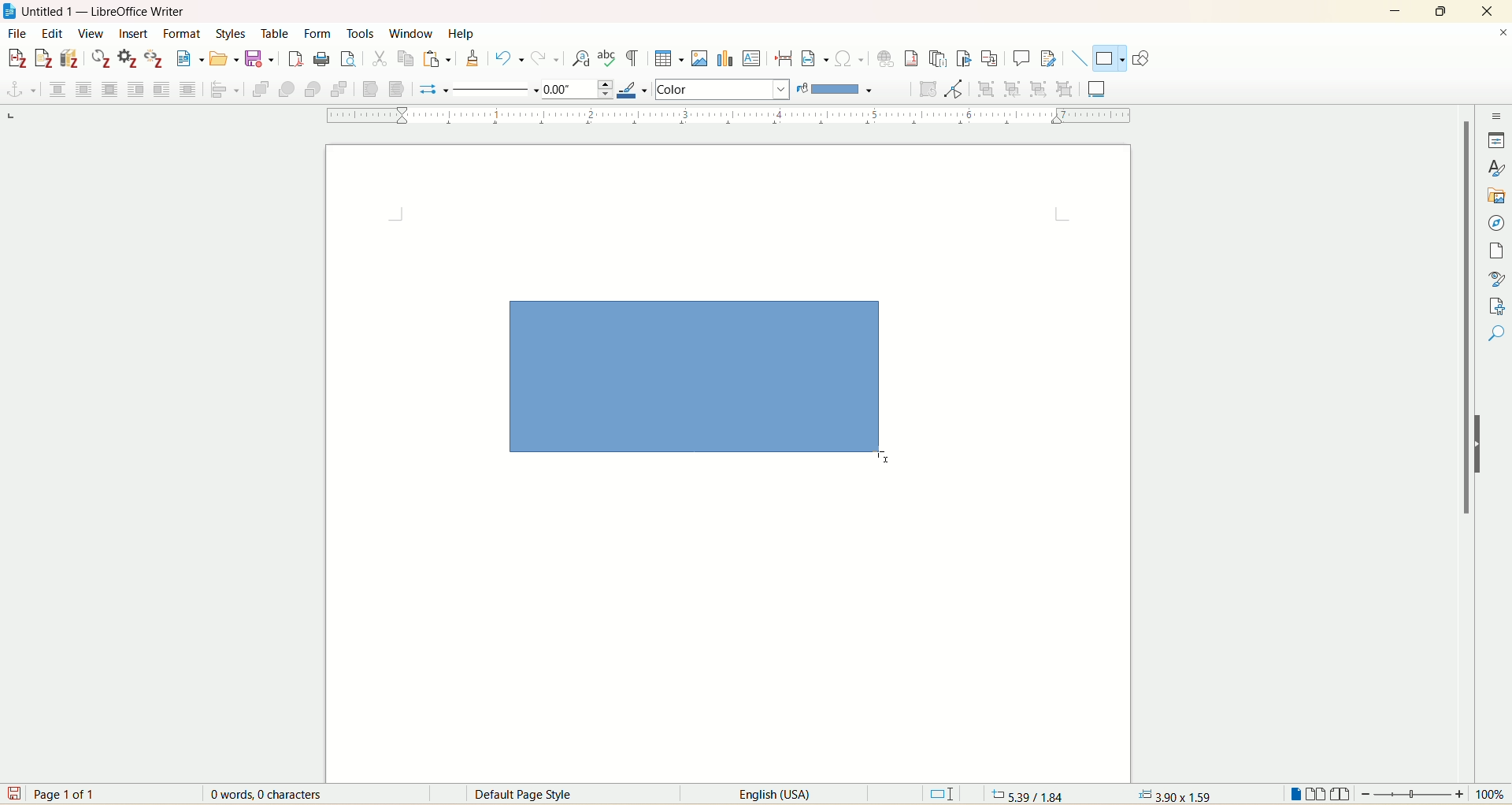 The height and width of the screenshot is (805, 1512). Describe the element at coordinates (669, 57) in the screenshot. I see `insert table` at that location.